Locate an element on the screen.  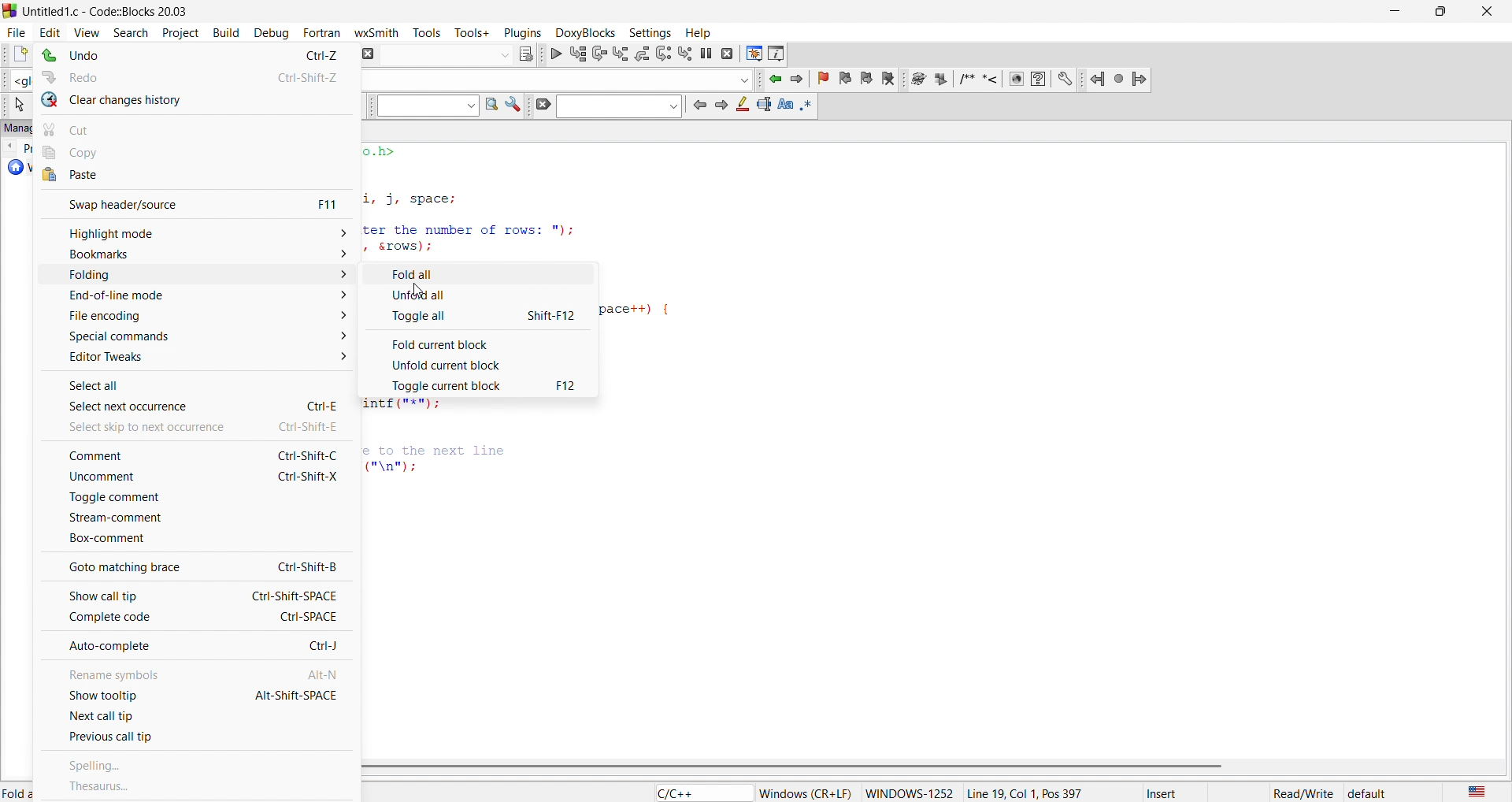
redo is located at coordinates (198, 74).